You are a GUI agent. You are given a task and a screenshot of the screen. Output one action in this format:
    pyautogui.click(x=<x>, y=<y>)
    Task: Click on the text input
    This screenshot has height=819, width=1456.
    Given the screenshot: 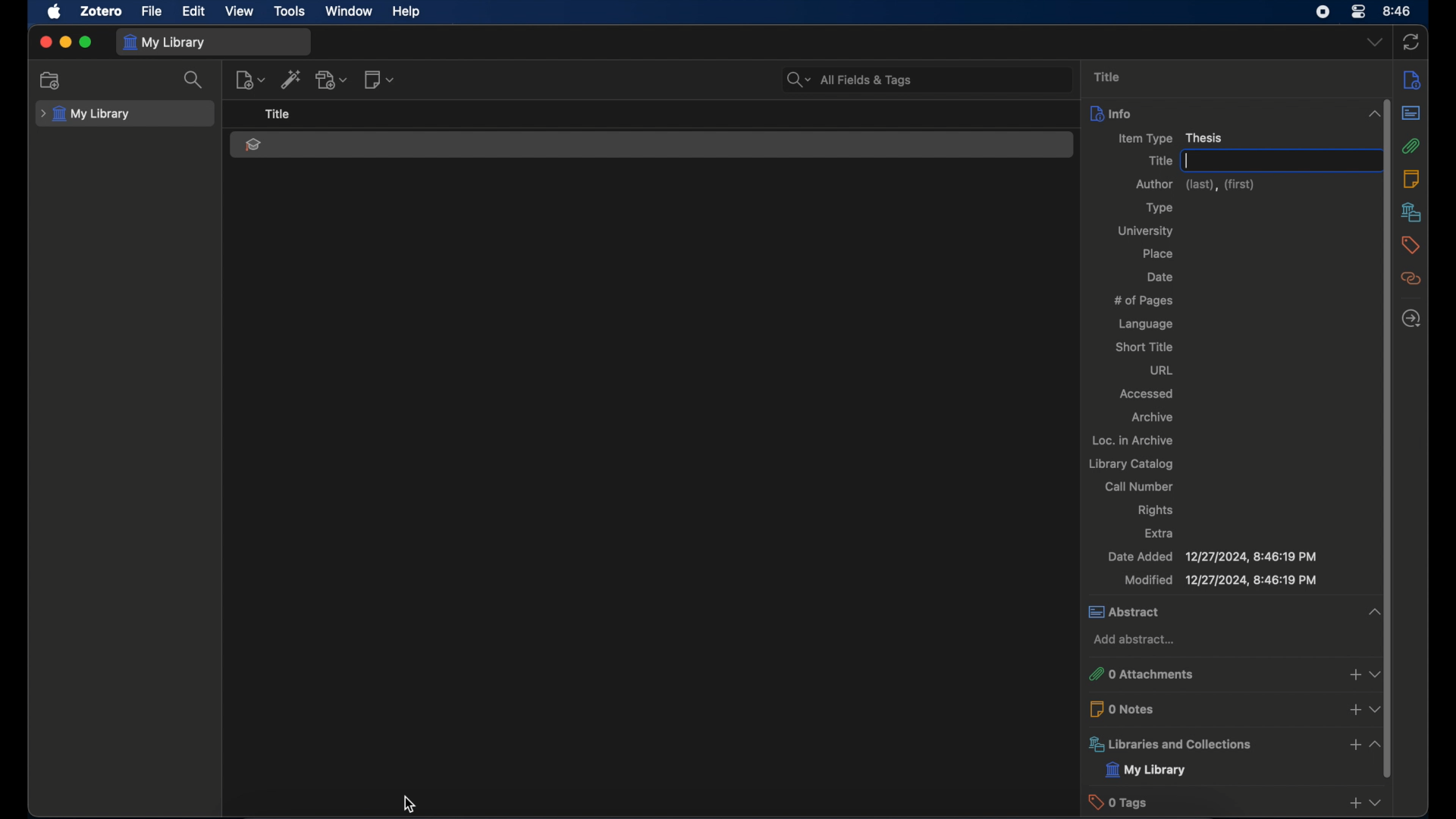 What is the action you would take?
    pyautogui.click(x=1274, y=161)
    